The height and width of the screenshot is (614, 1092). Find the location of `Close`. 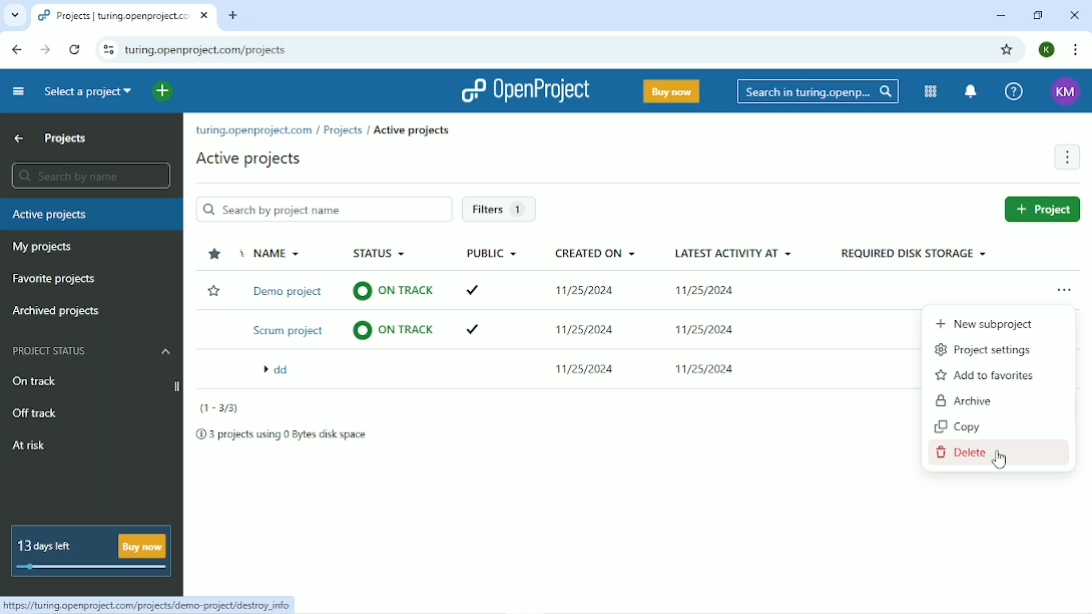

Close is located at coordinates (1076, 16).